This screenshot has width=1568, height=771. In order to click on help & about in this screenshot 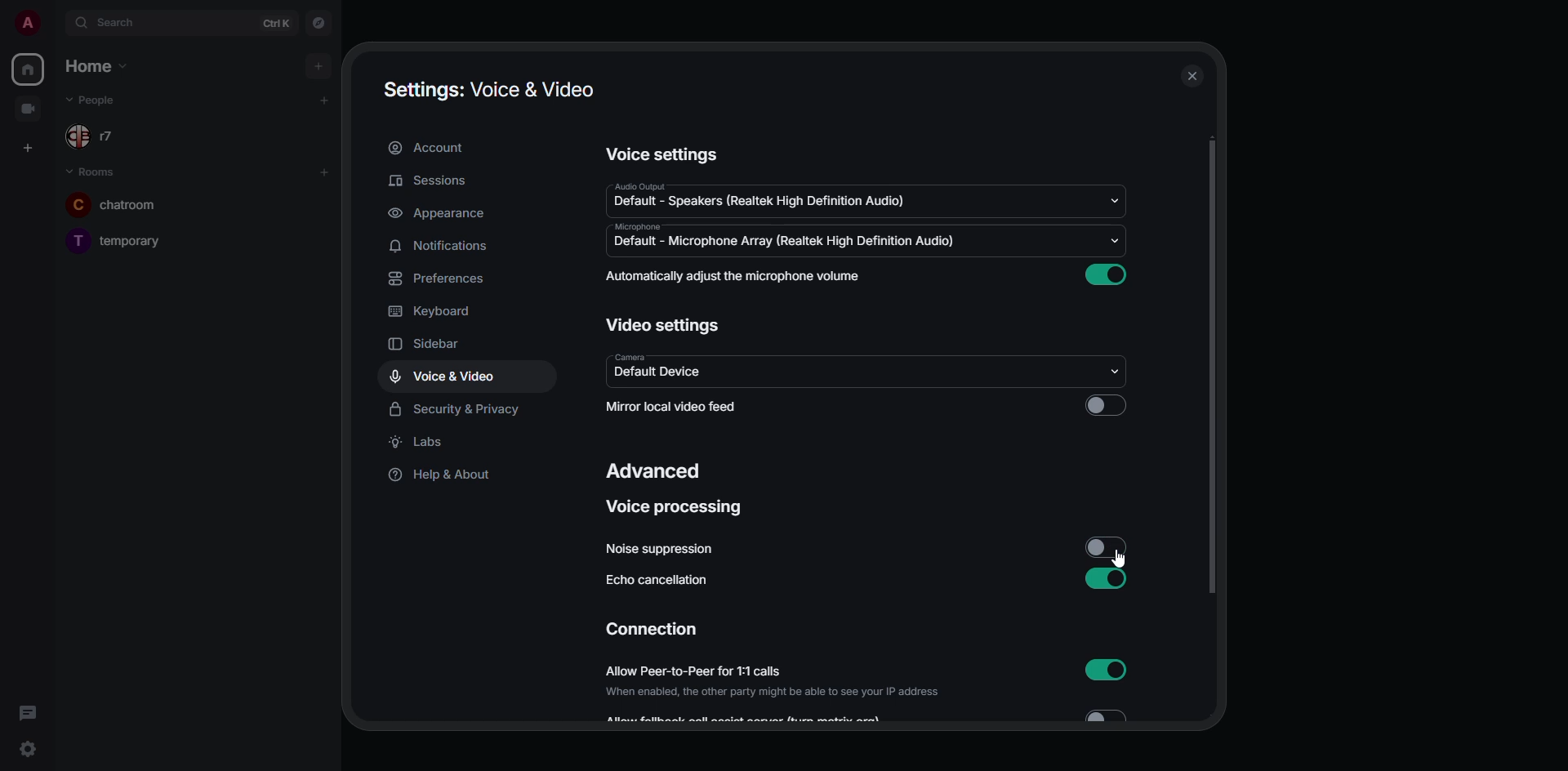, I will do `click(438, 476)`.